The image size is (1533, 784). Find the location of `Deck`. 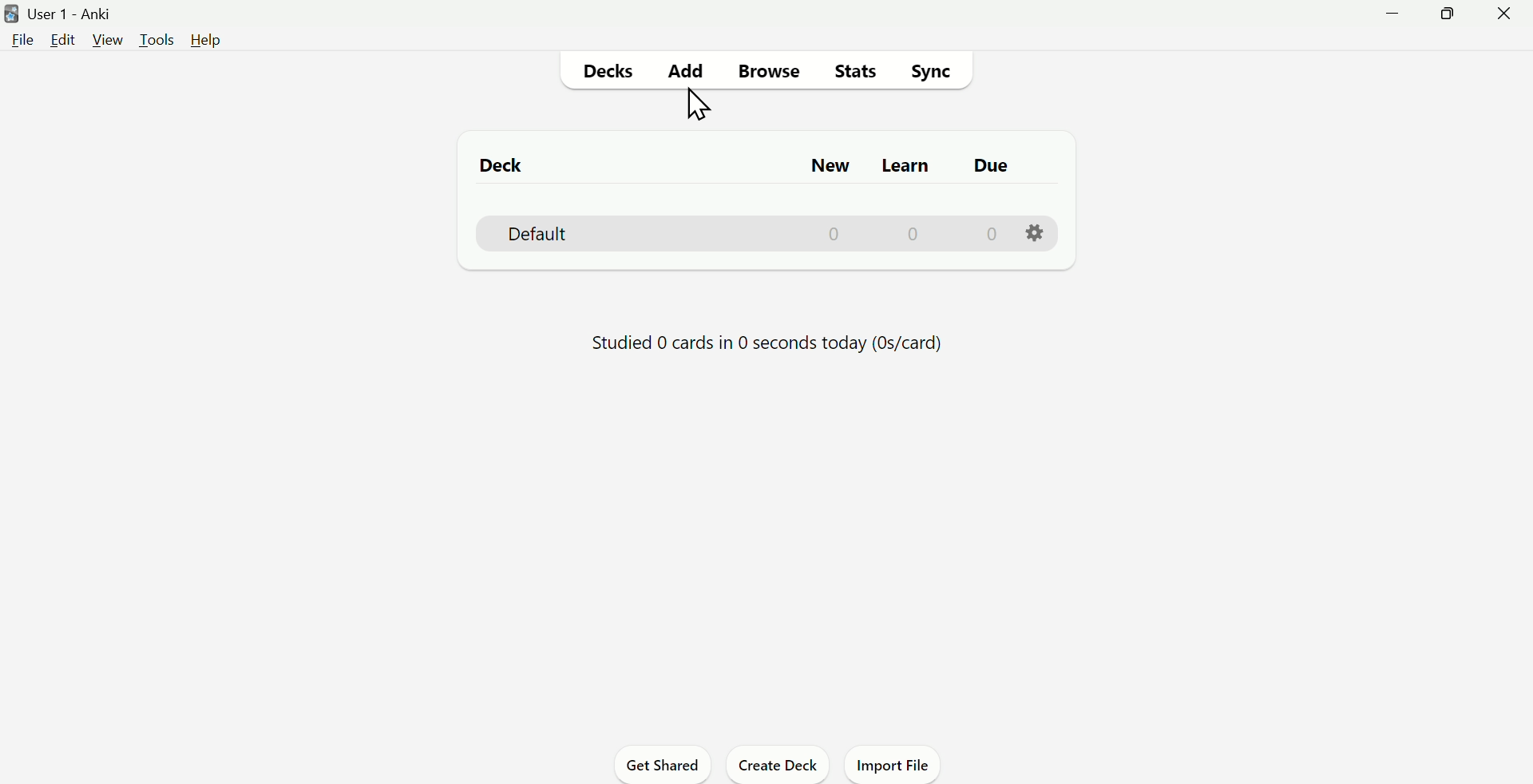

Deck is located at coordinates (503, 164).